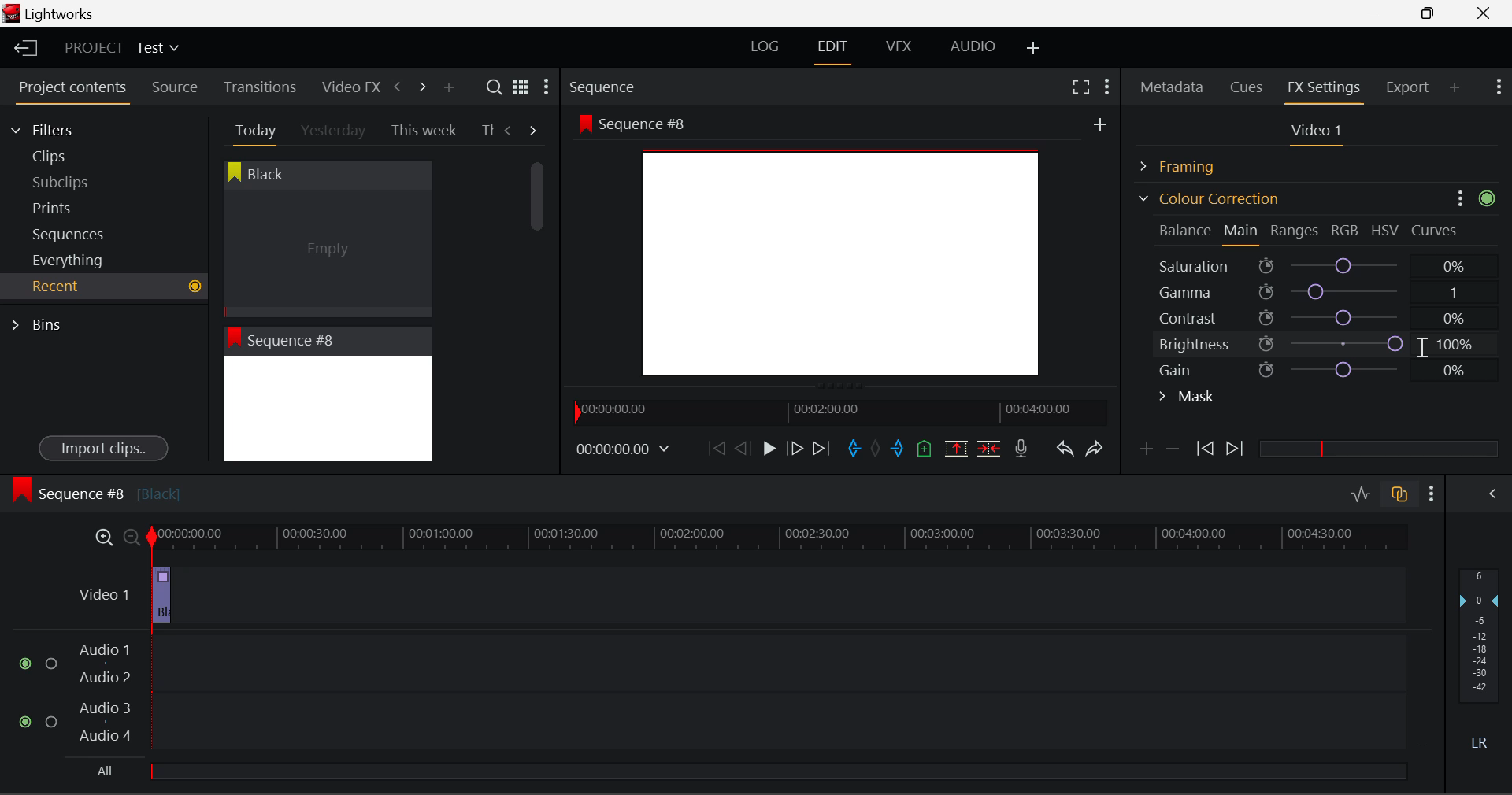  Describe the element at coordinates (487, 129) in the screenshot. I see `Th` at that location.